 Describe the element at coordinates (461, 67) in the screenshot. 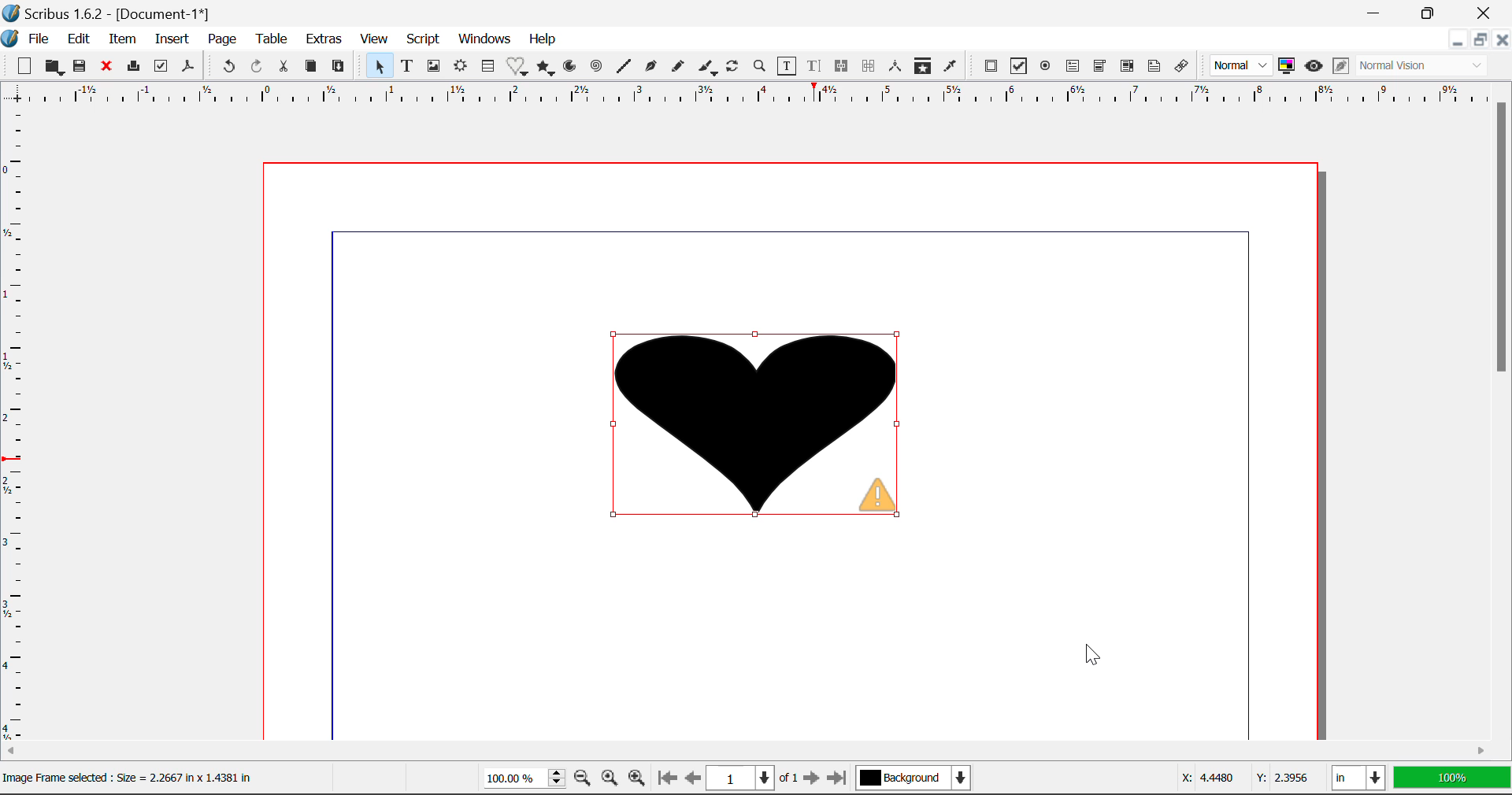

I see `Render Frame` at that location.